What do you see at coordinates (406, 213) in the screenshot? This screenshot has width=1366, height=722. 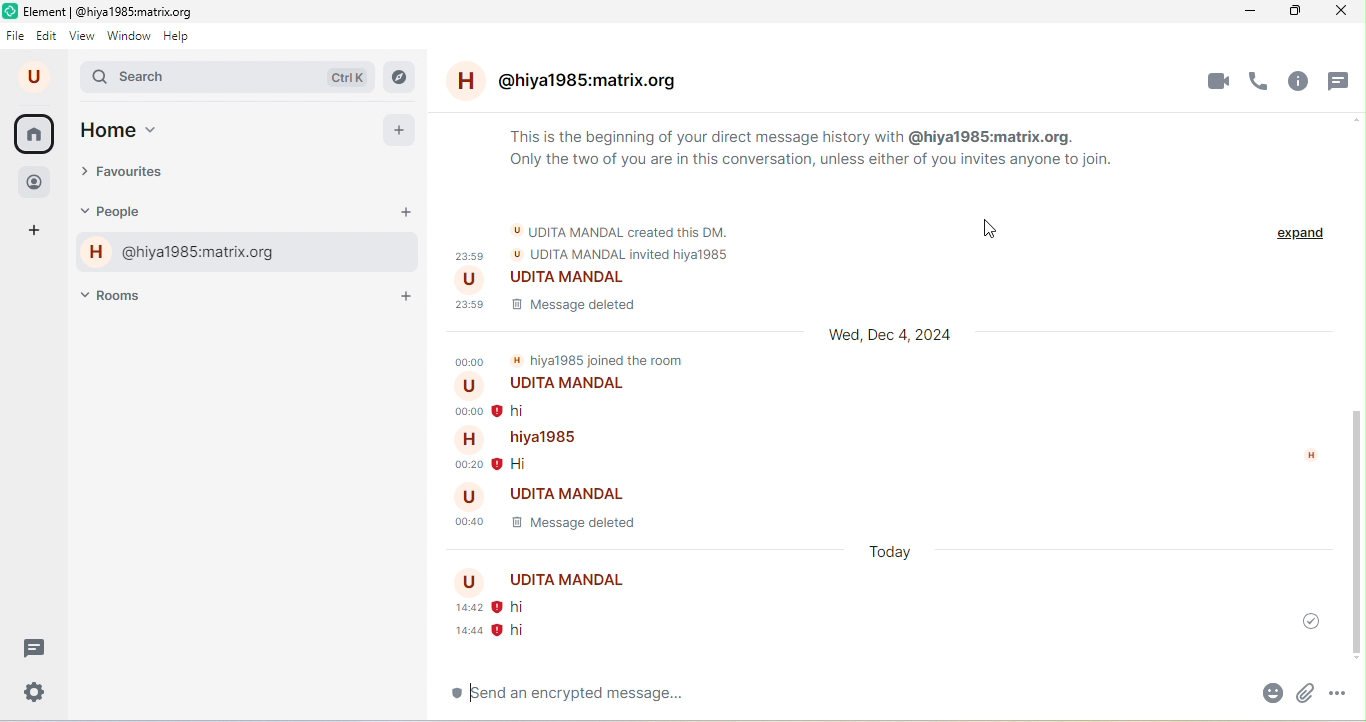 I see `start a chat` at bounding box center [406, 213].